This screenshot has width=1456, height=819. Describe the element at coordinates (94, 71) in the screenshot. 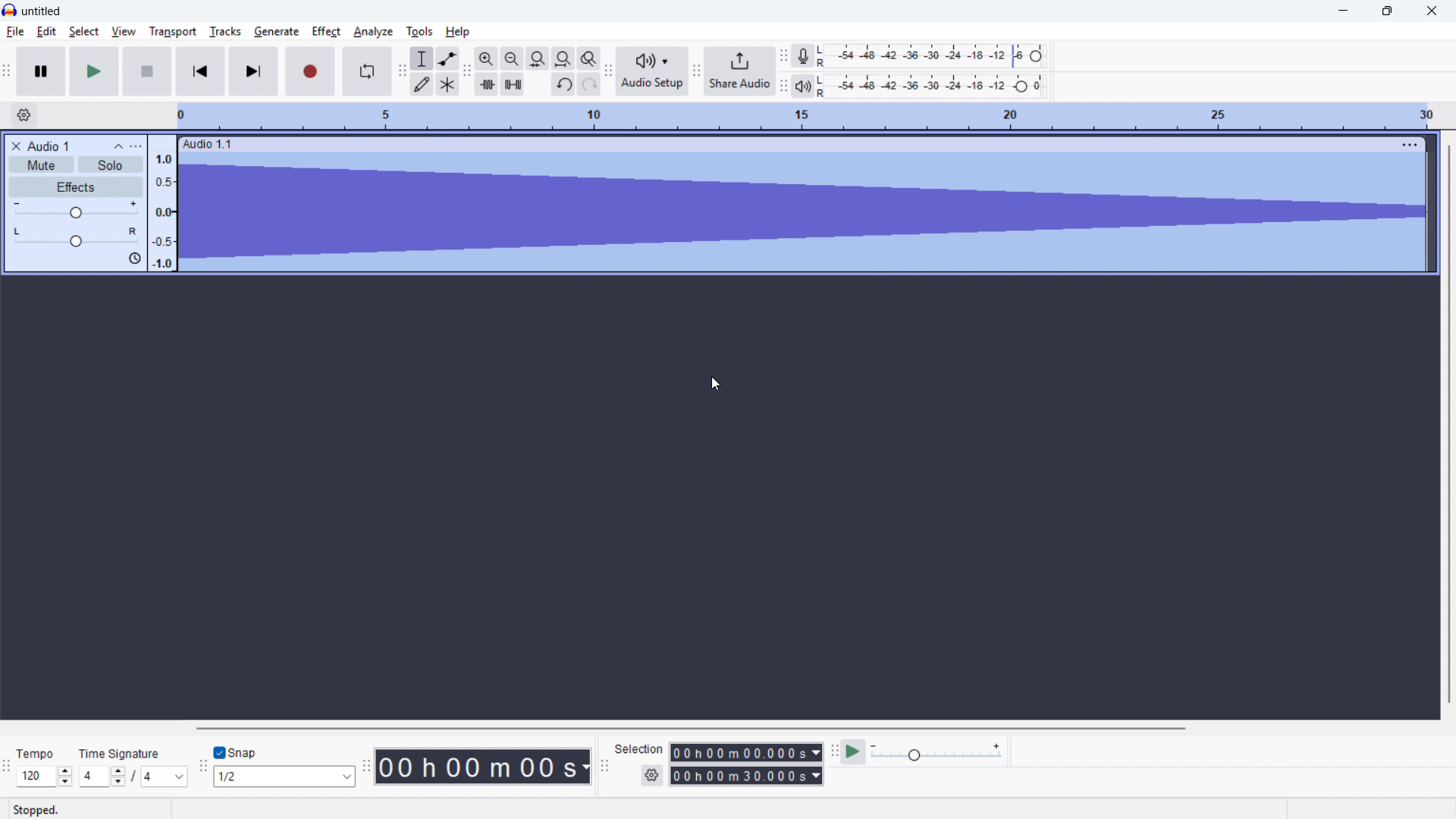

I see `play ` at that location.